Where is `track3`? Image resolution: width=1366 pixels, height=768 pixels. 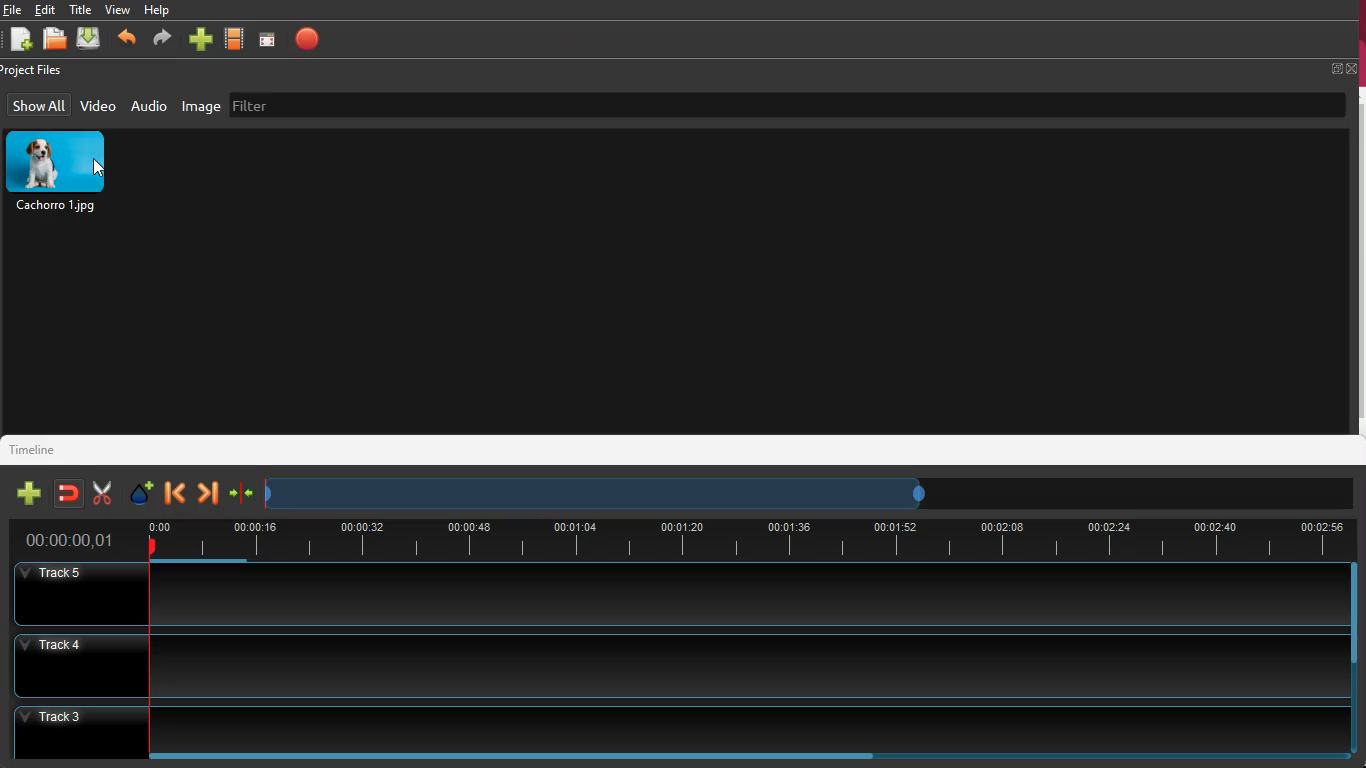
track3 is located at coordinates (668, 727).